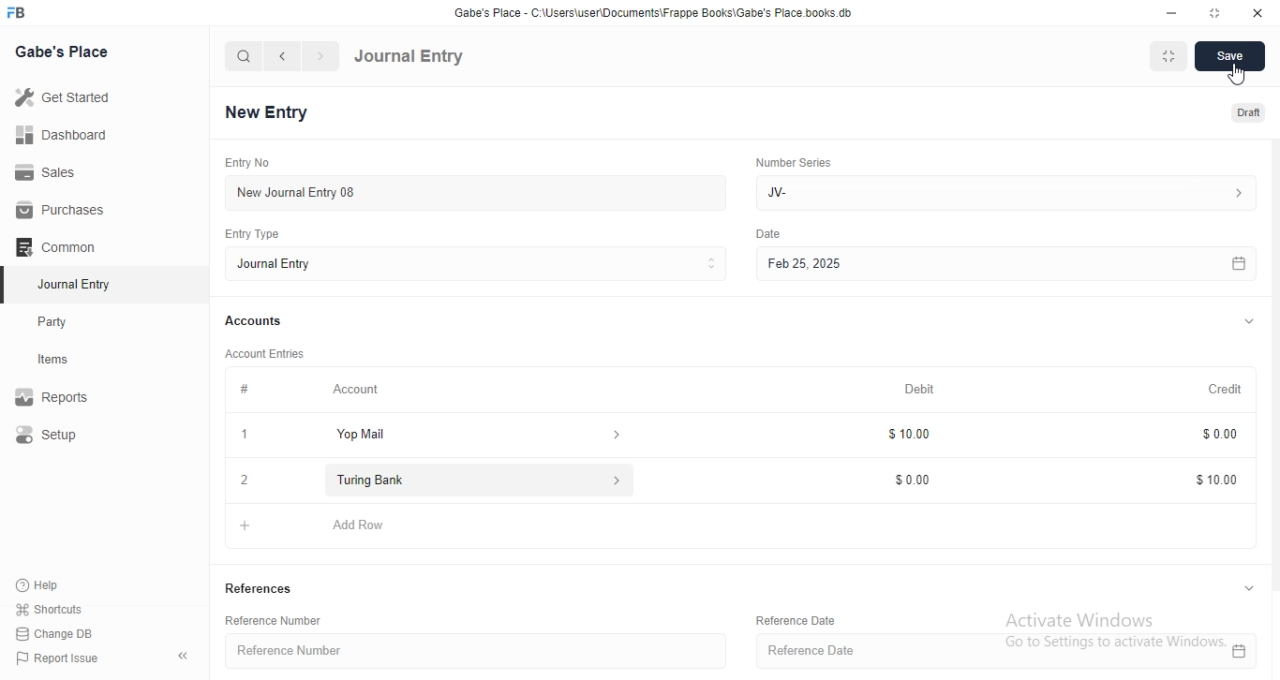 The image size is (1280, 680). What do you see at coordinates (799, 619) in the screenshot?
I see `Reference Date` at bounding box center [799, 619].